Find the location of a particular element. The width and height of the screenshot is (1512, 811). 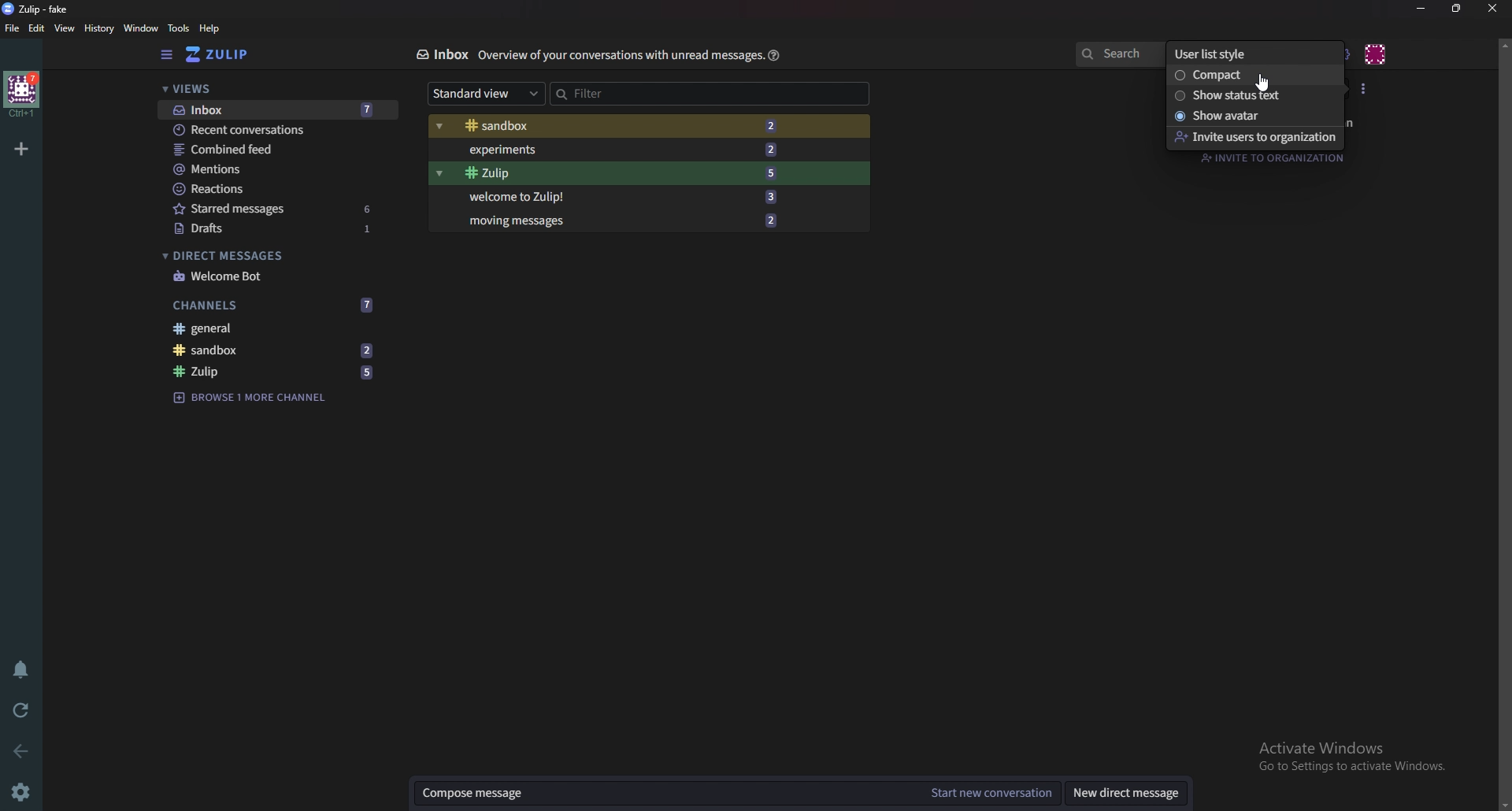

scroll bar is located at coordinates (1504, 422).